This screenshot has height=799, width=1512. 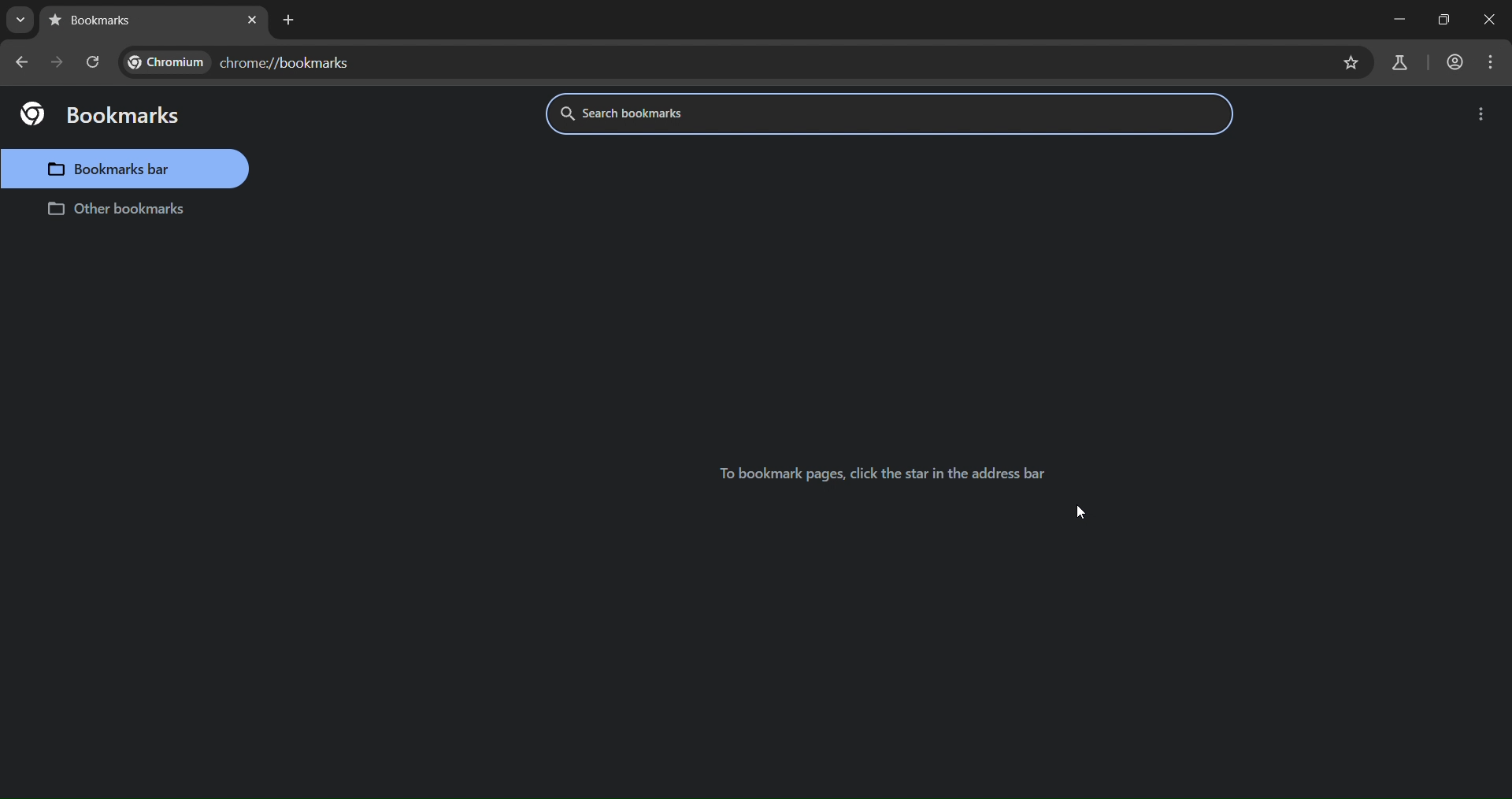 What do you see at coordinates (1399, 63) in the screenshot?
I see `search labs` at bounding box center [1399, 63].